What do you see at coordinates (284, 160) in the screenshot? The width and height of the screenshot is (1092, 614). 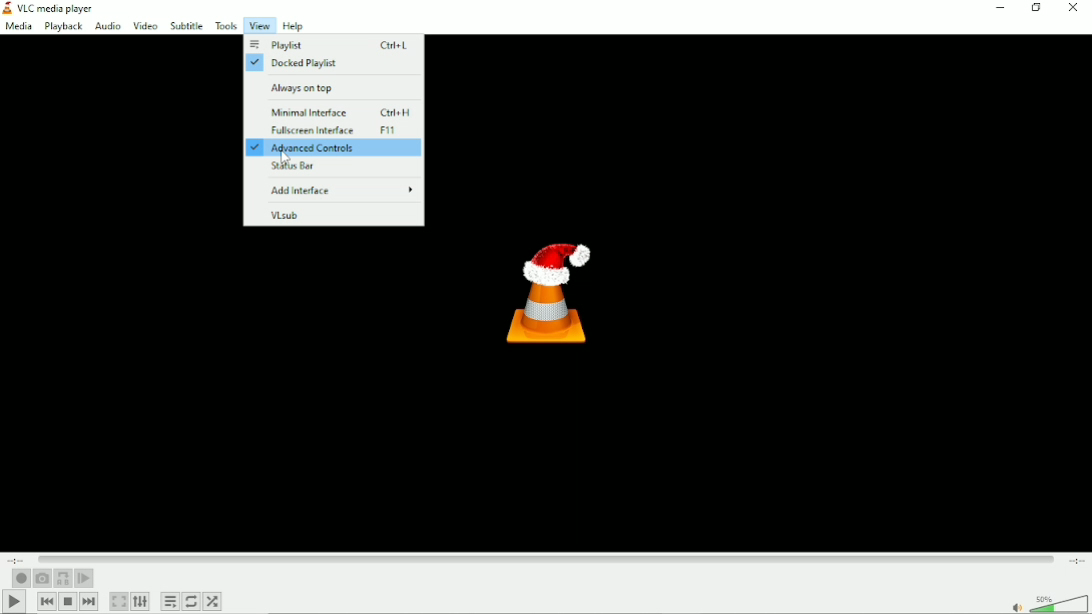 I see `Cursor` at bounding box center [284, 160].